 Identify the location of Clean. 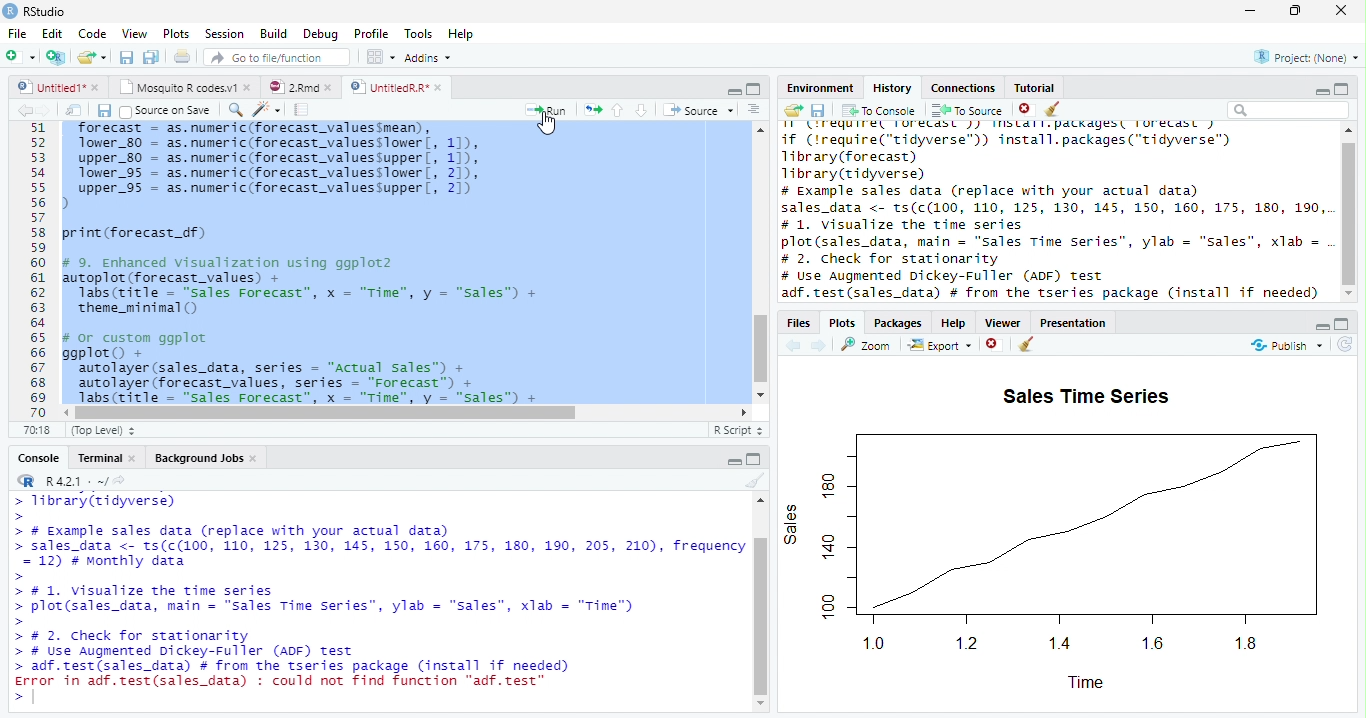
(1056, 109).